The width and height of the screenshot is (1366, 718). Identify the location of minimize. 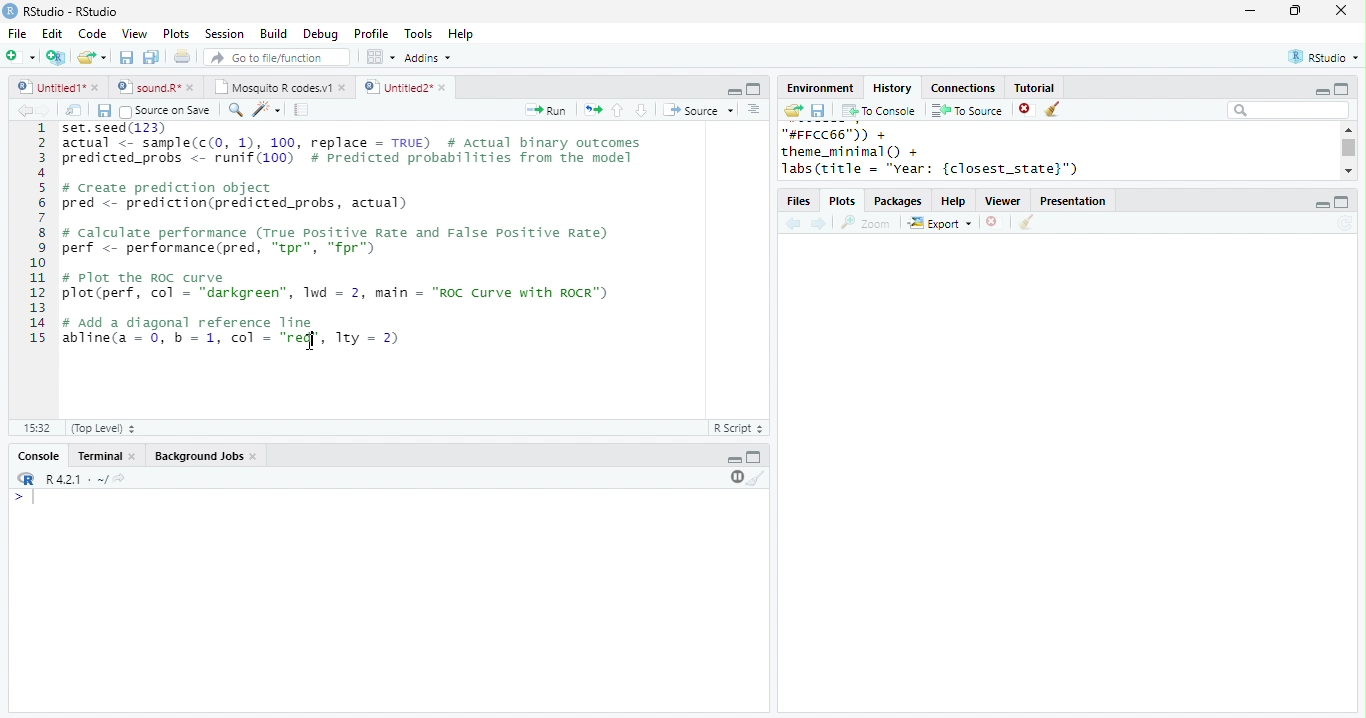
(1321, 205).